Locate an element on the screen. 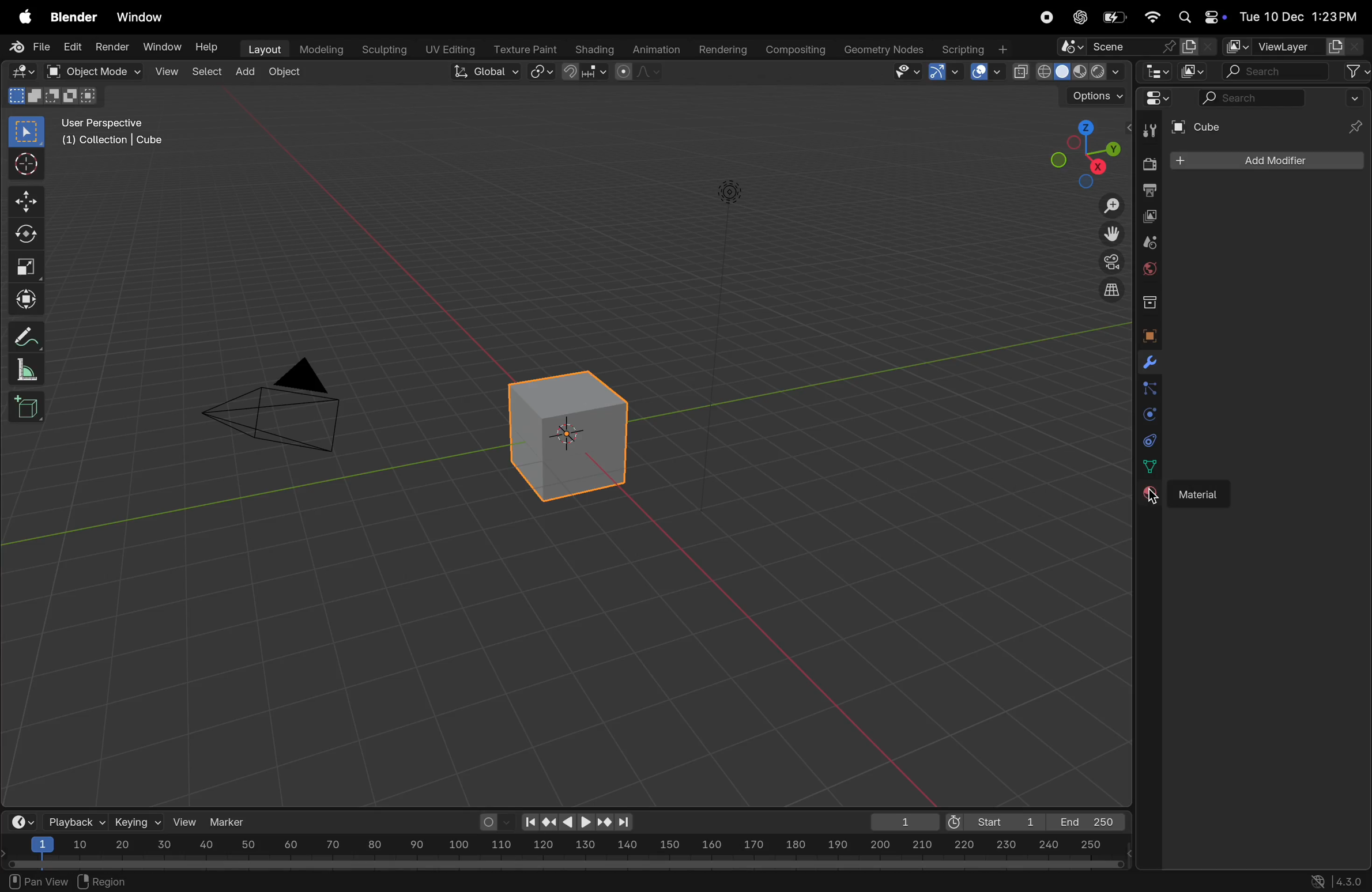  add modifier is located at coordinates (1266, 160).